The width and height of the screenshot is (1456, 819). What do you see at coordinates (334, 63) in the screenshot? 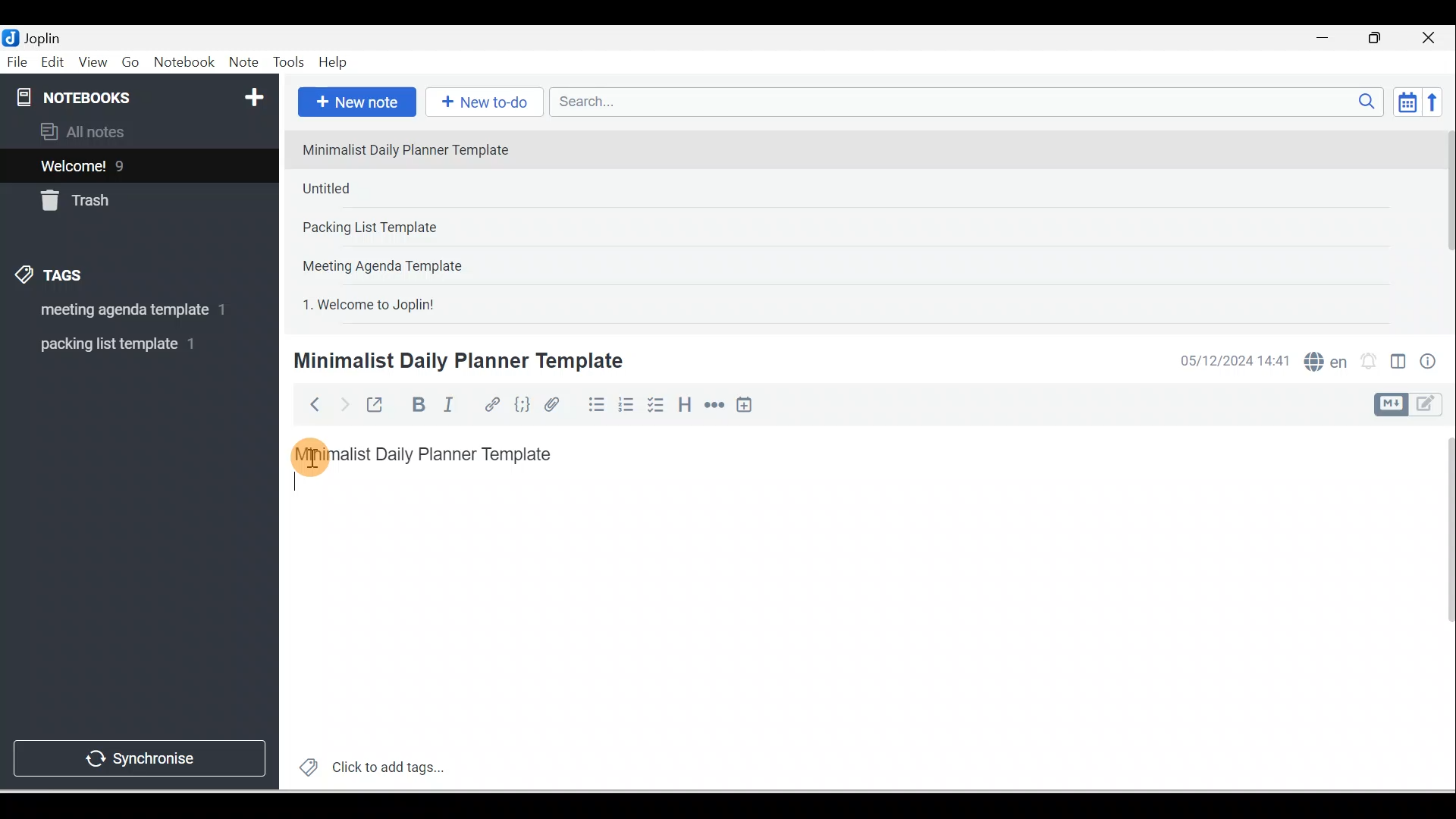
I see `Help` at bounding box center [334, 63].